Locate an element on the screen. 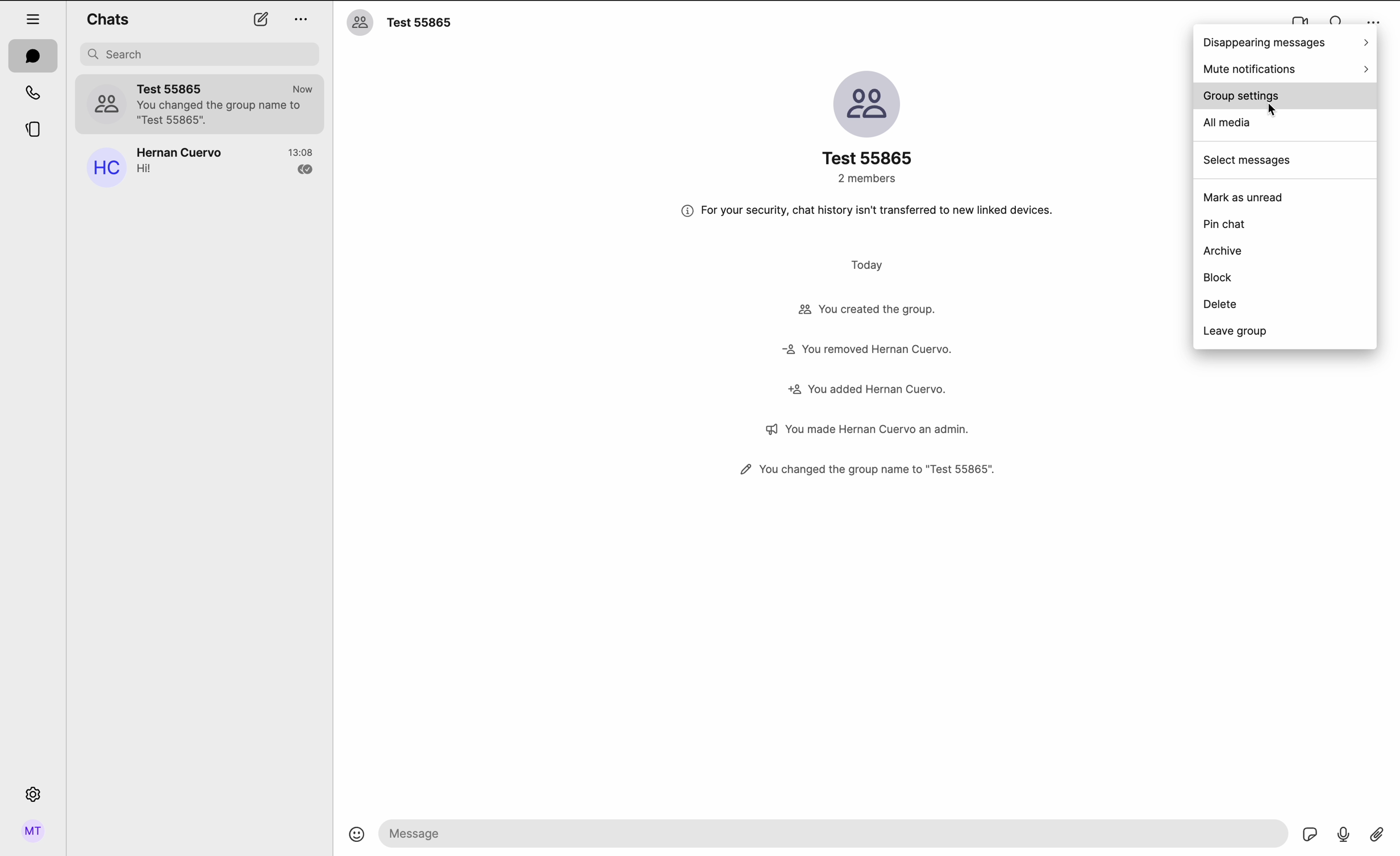  delete is located at coordinates (1220, 304).